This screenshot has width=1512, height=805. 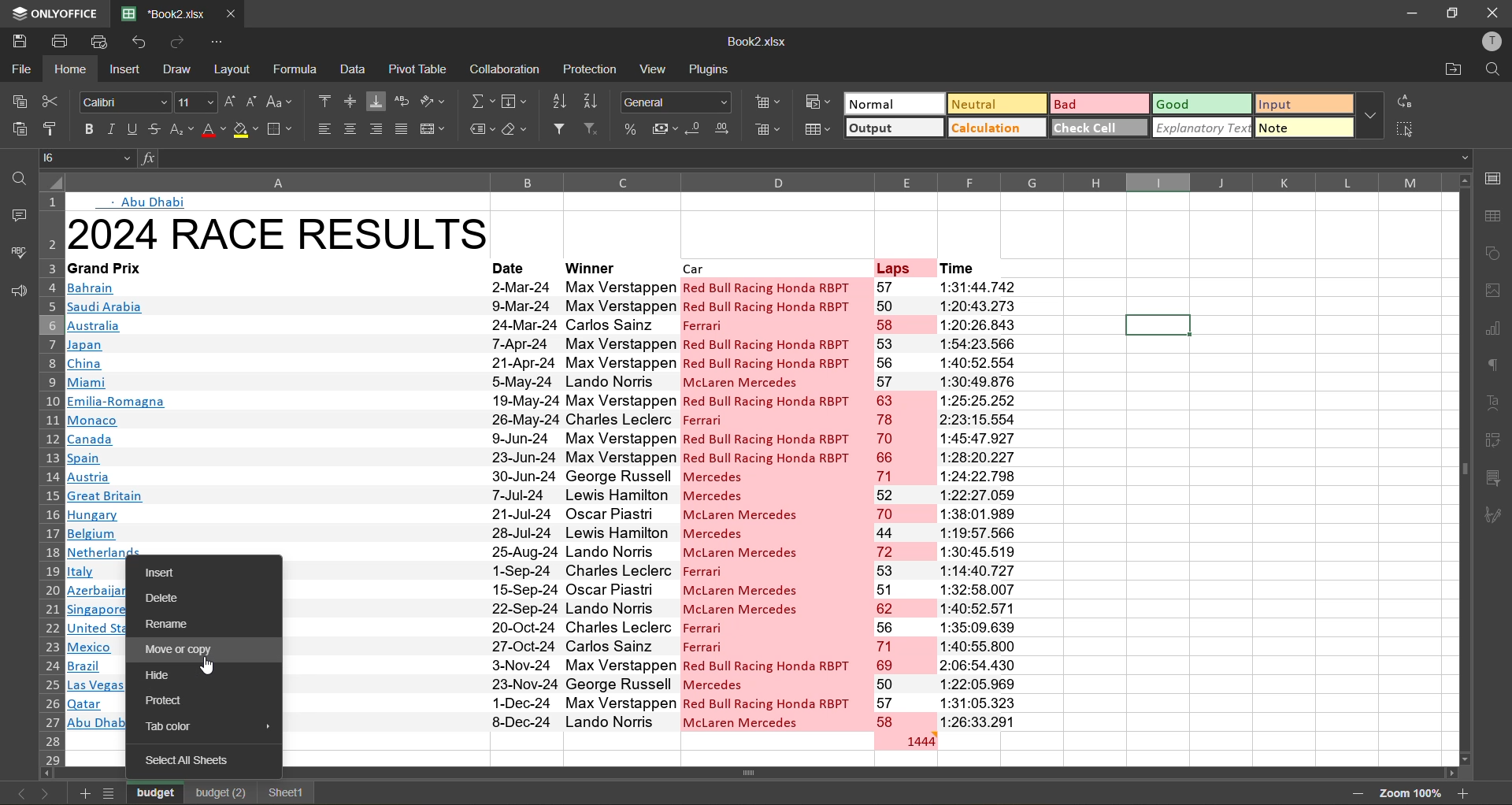 What do you see at coordinates (403, 129) in the screenshot?
I see `justified` at bounding box center [403, 129].